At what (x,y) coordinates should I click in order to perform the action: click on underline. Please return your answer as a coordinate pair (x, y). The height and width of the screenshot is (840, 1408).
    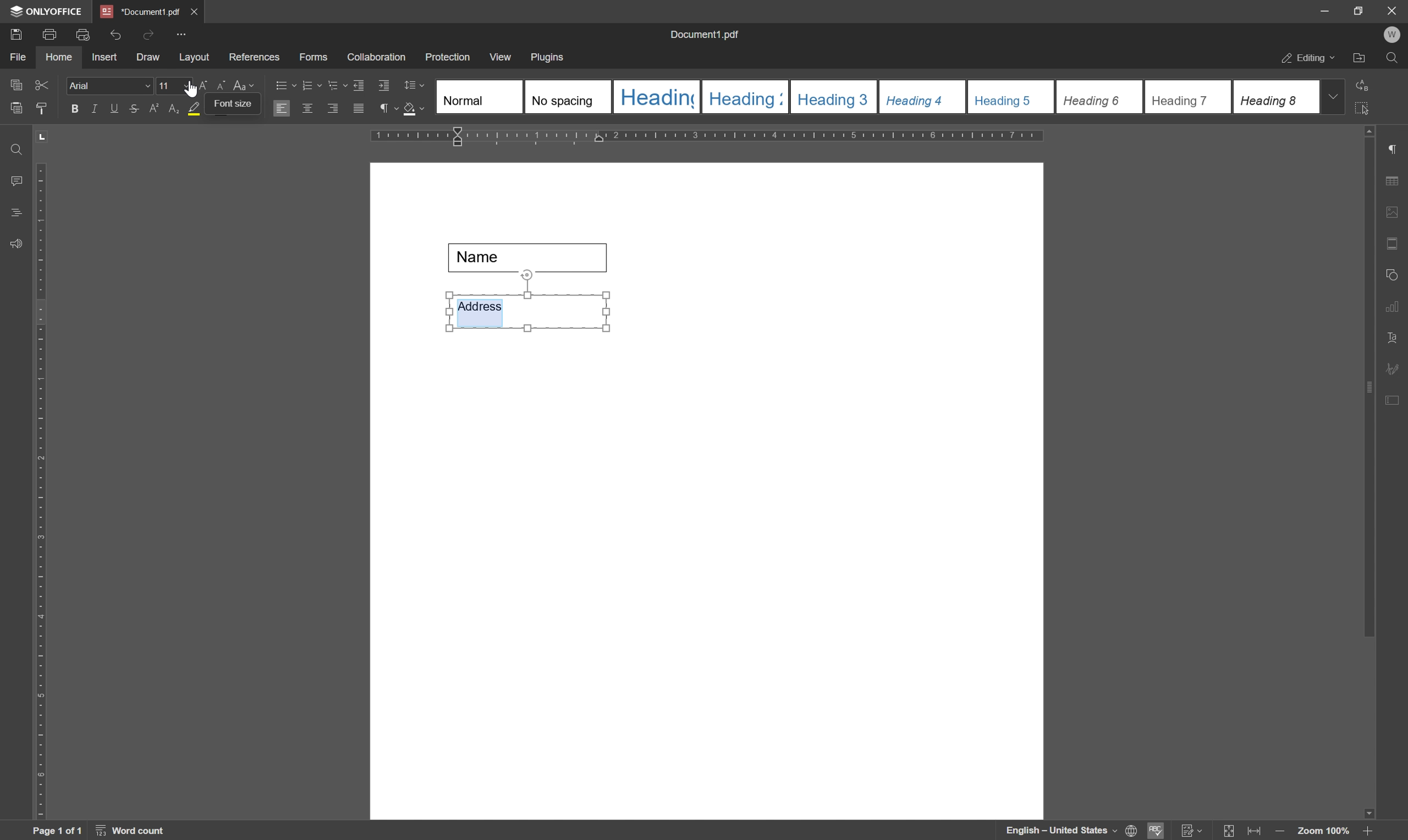
    Looking at the image, I should click on (114, 108).